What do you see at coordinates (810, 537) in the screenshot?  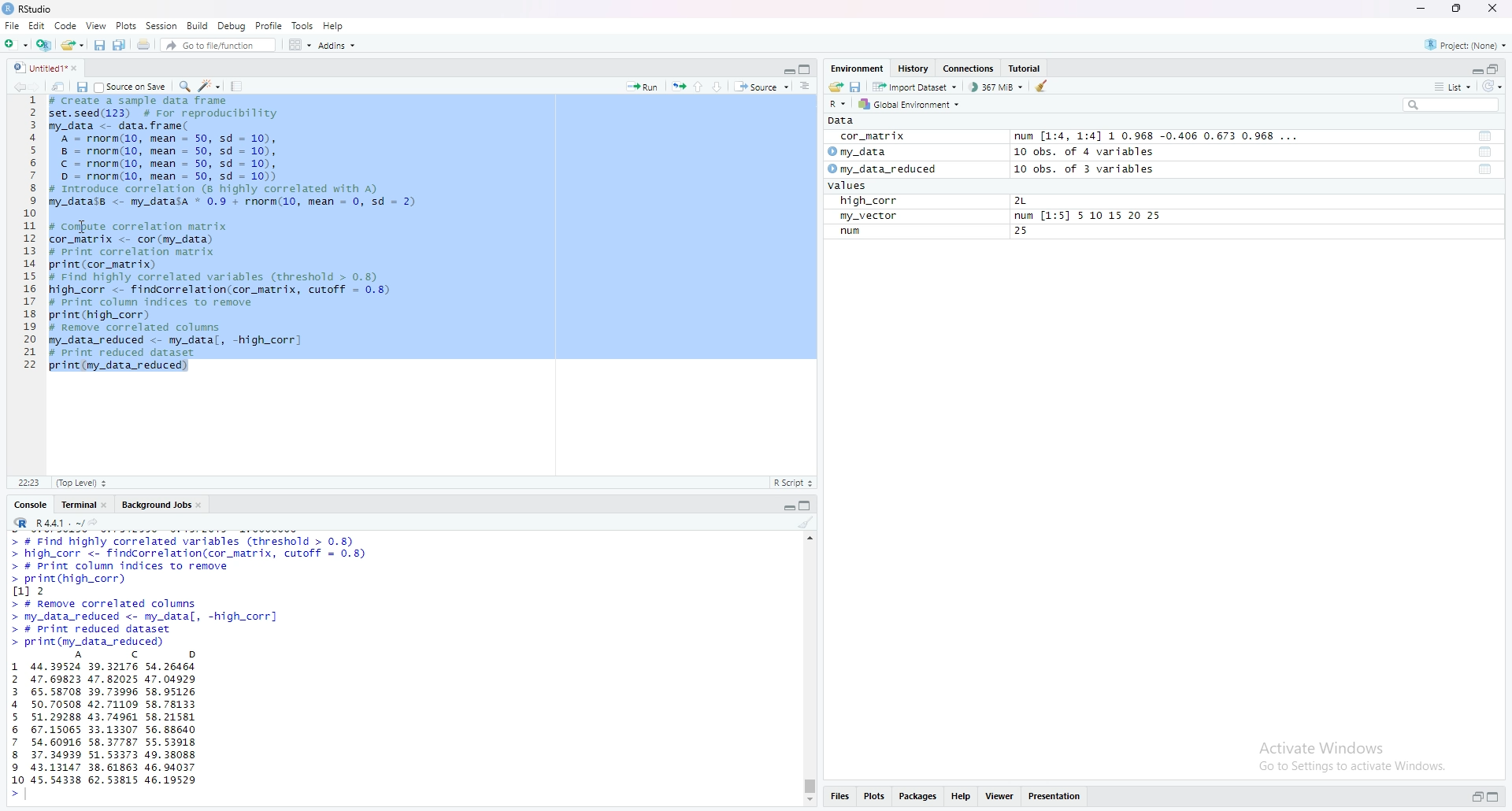 I see `scroll up` at bounding box center [810, 537].